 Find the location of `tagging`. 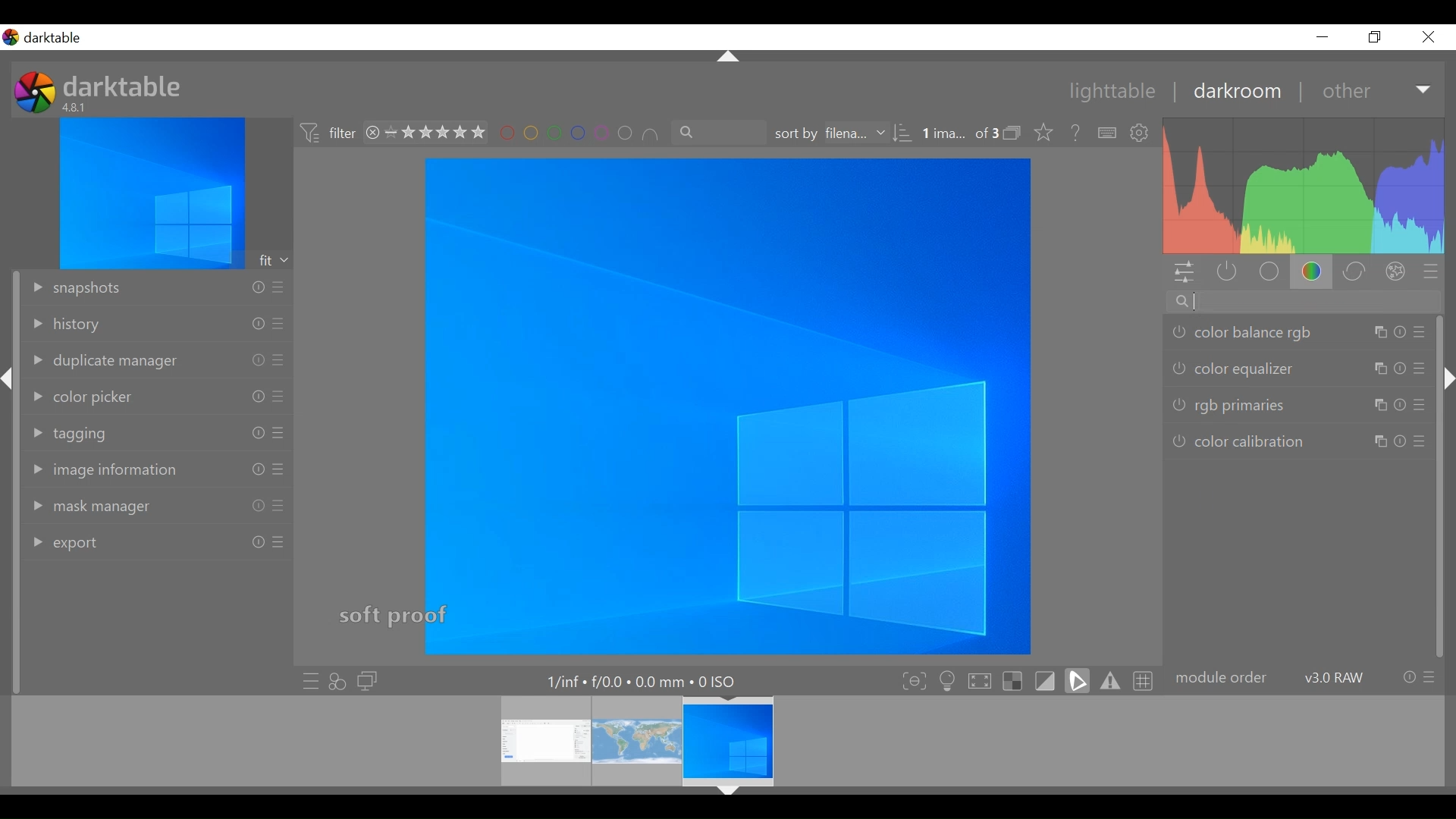

tagging is located at coordinates (71, 434).